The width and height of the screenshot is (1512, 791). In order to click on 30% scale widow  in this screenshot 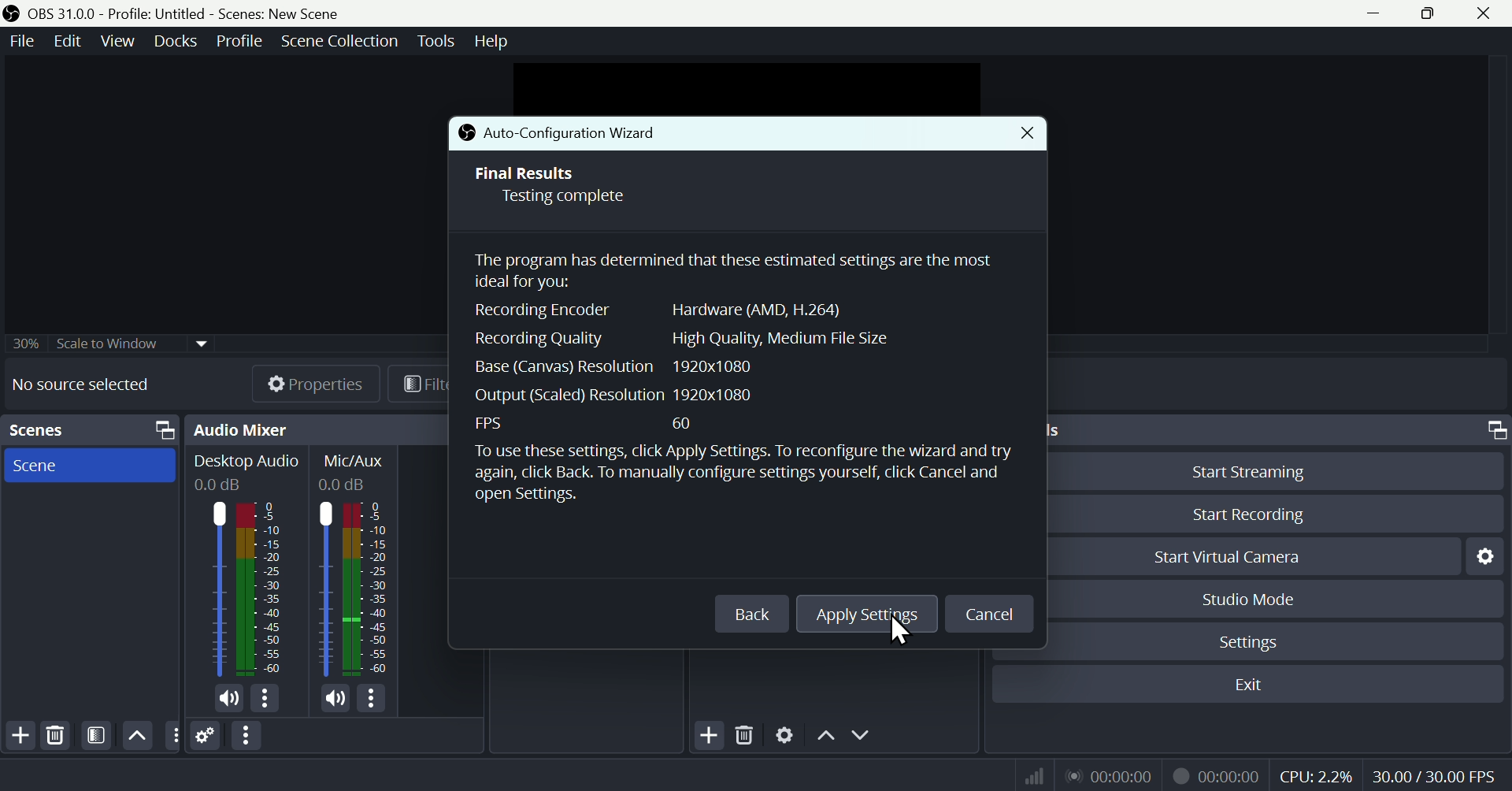, I will do `click(132, 342)`.